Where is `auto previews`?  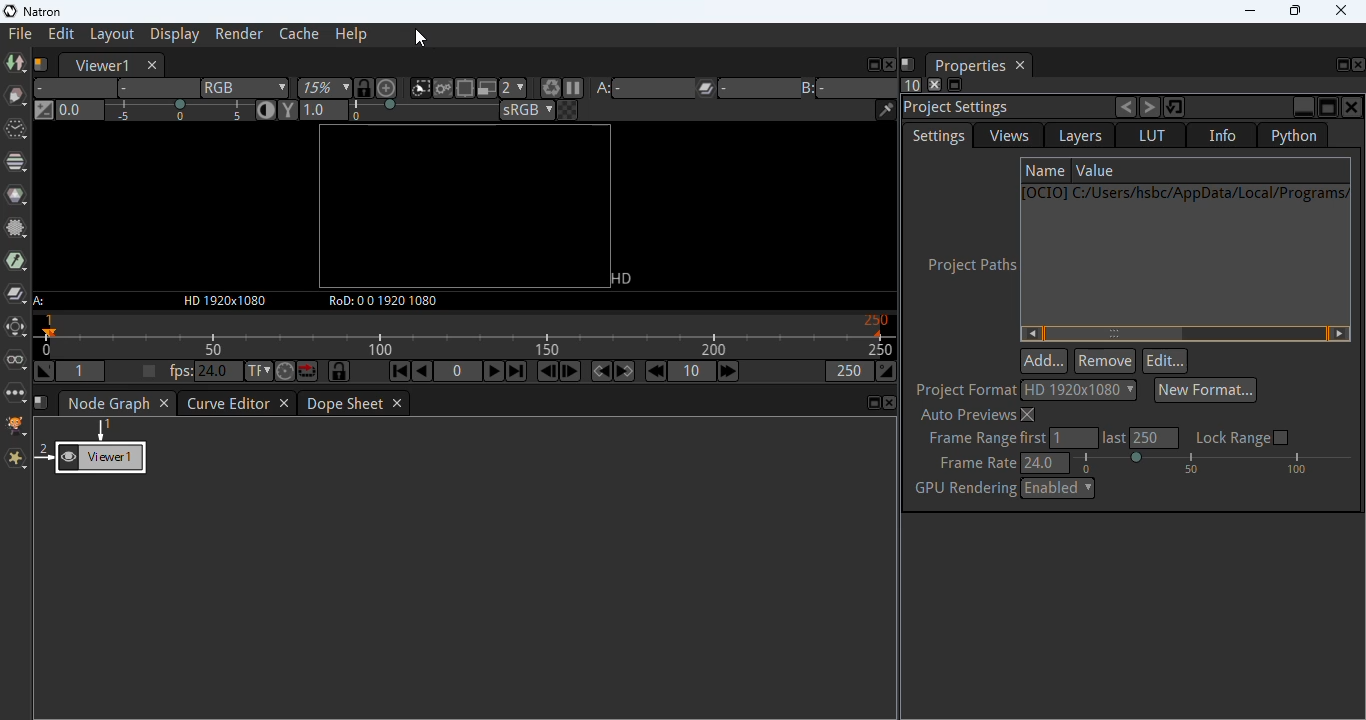 auto previews is located at coordinates (979, 415).